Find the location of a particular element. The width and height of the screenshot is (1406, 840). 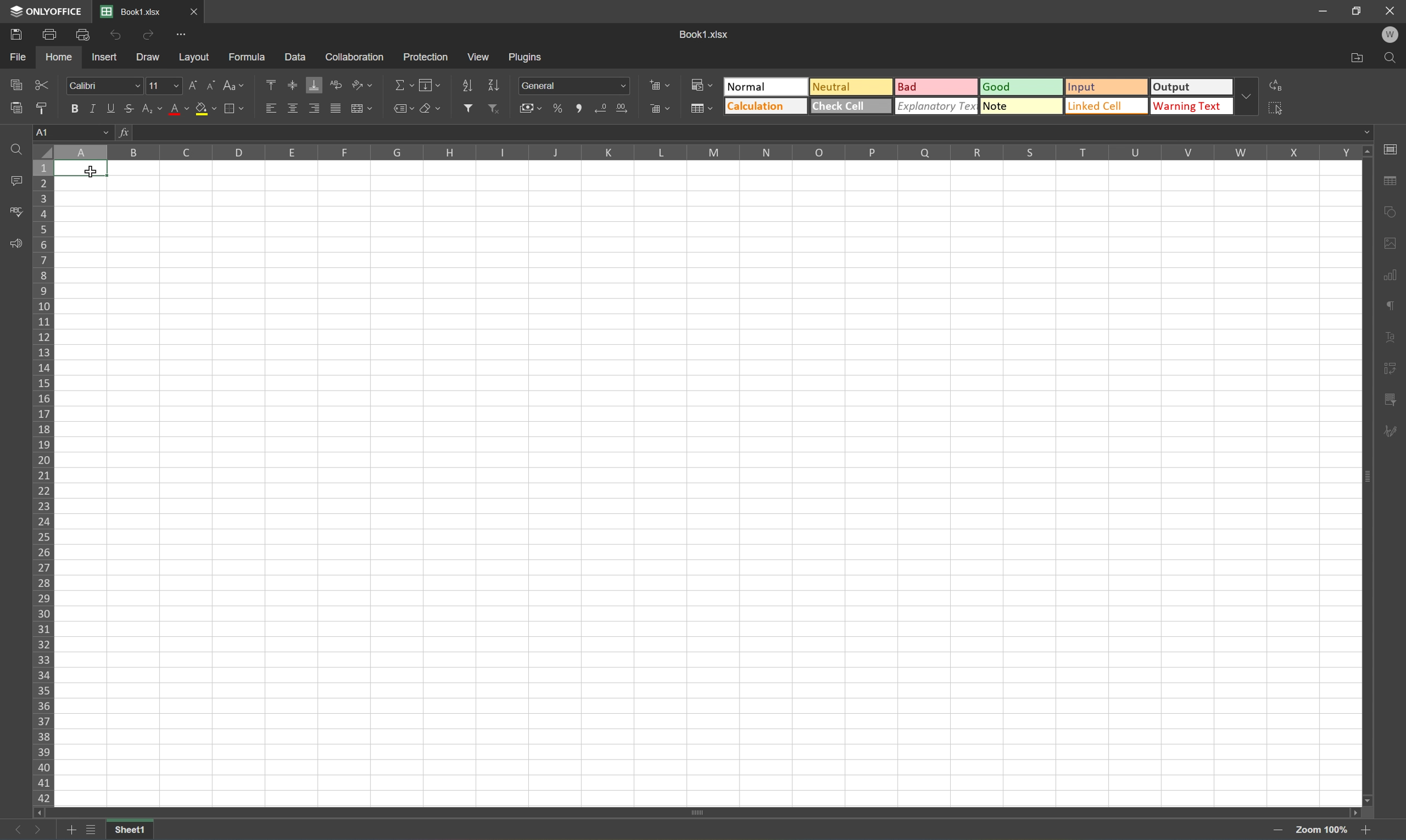

Data is located at coordinates (293, 54).